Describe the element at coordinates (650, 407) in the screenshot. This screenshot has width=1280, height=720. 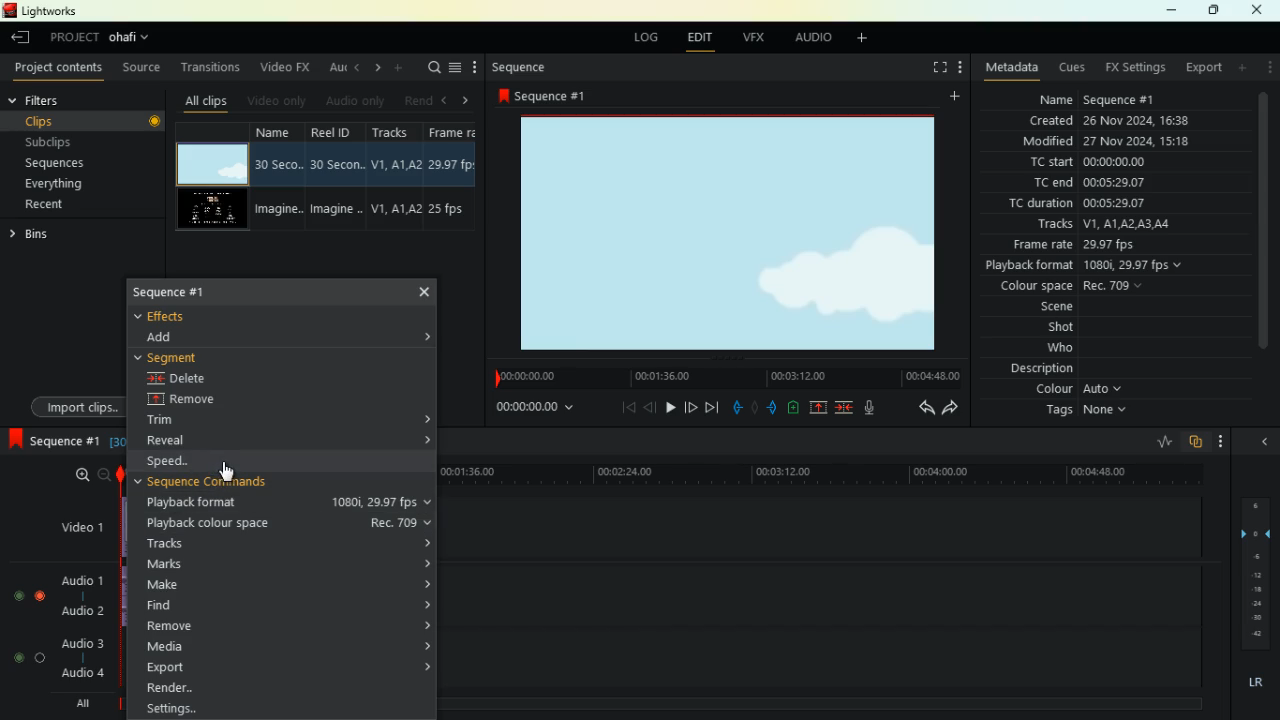
I see `back` at that location.